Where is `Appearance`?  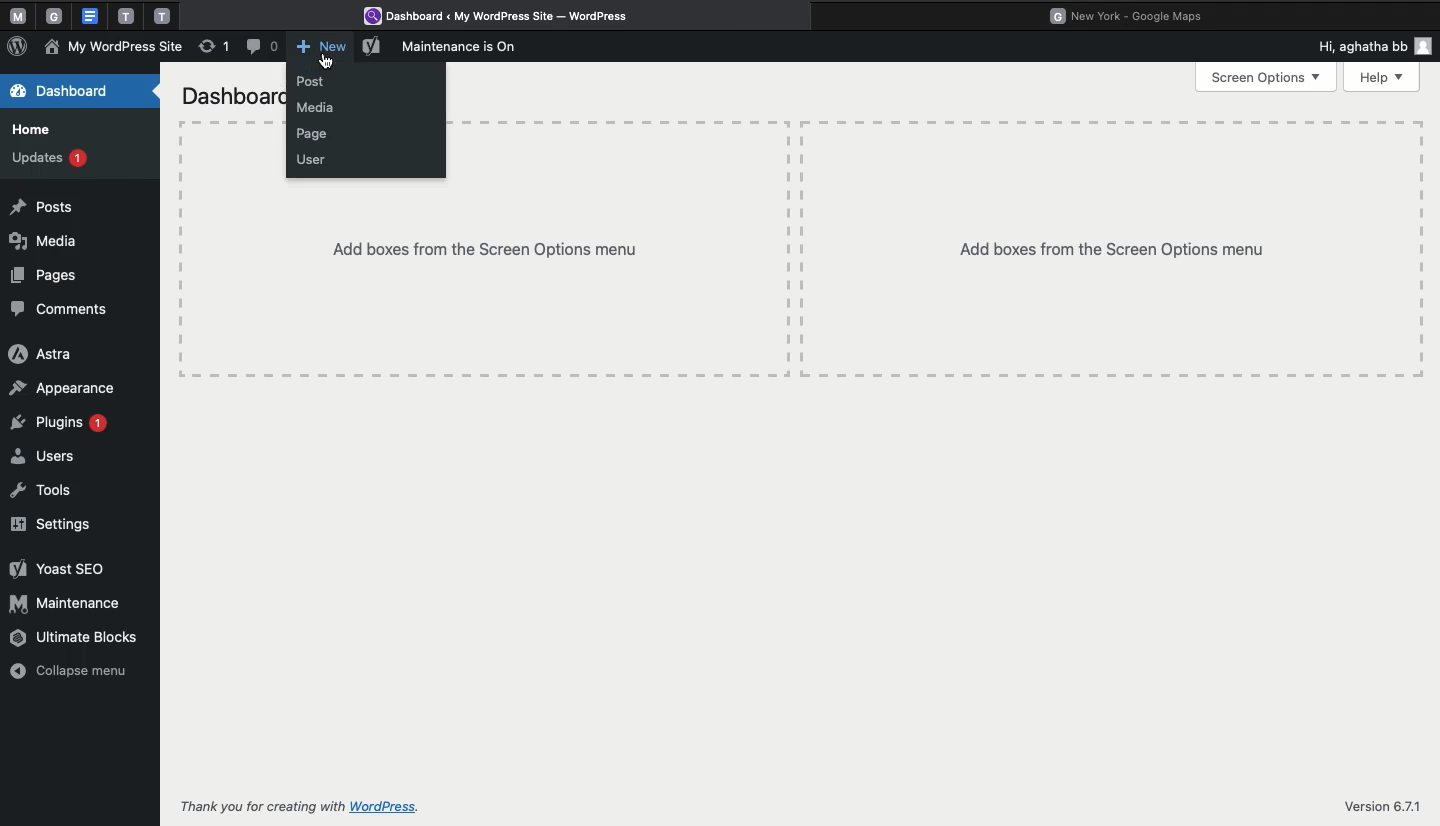 Appearance is located at coordinates (63, 388).